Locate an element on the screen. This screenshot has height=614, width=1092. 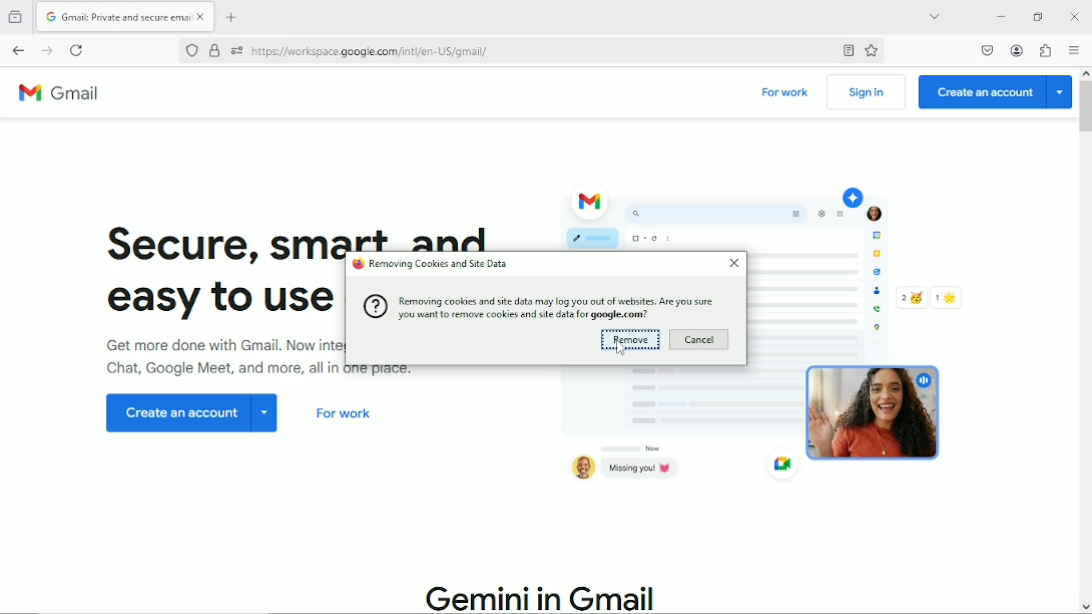
Create an account is located at coordinates (995, 92).